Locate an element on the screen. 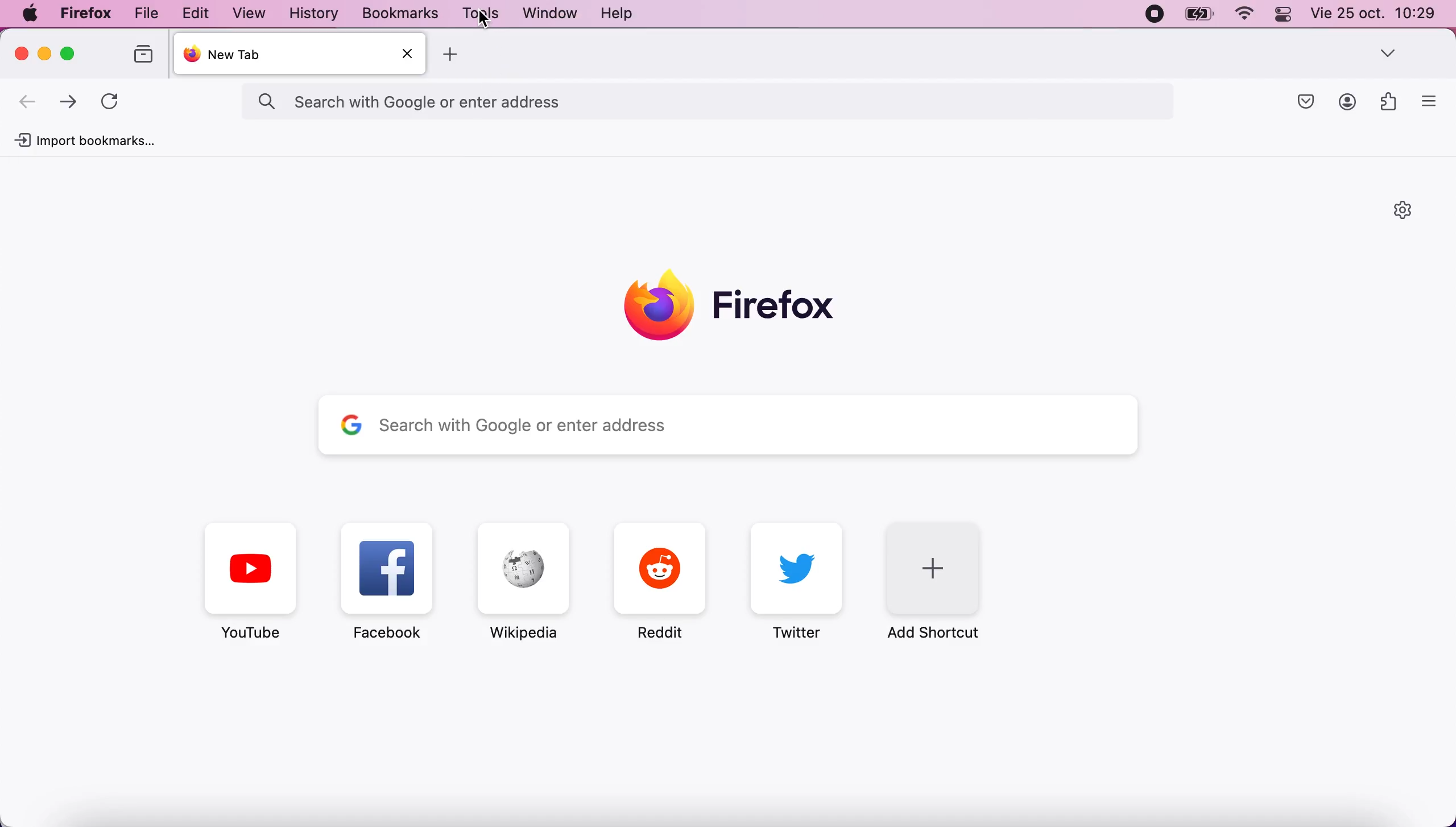 This screenshot has height=827, width=1456. Firefox is located at coordinates (86, 14).